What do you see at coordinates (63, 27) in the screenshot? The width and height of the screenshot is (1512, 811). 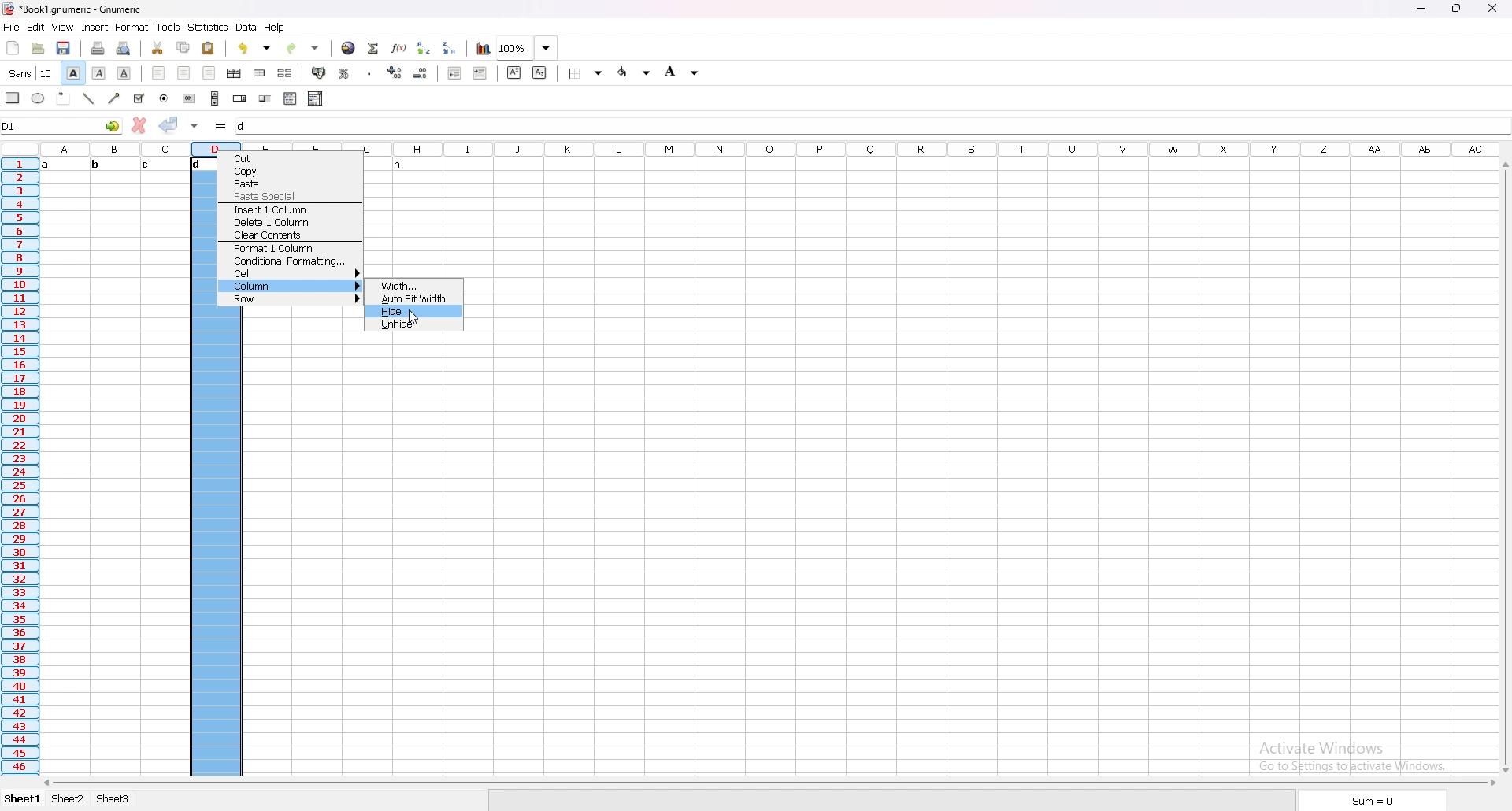 I see `view` at bounding box center [63, 27].